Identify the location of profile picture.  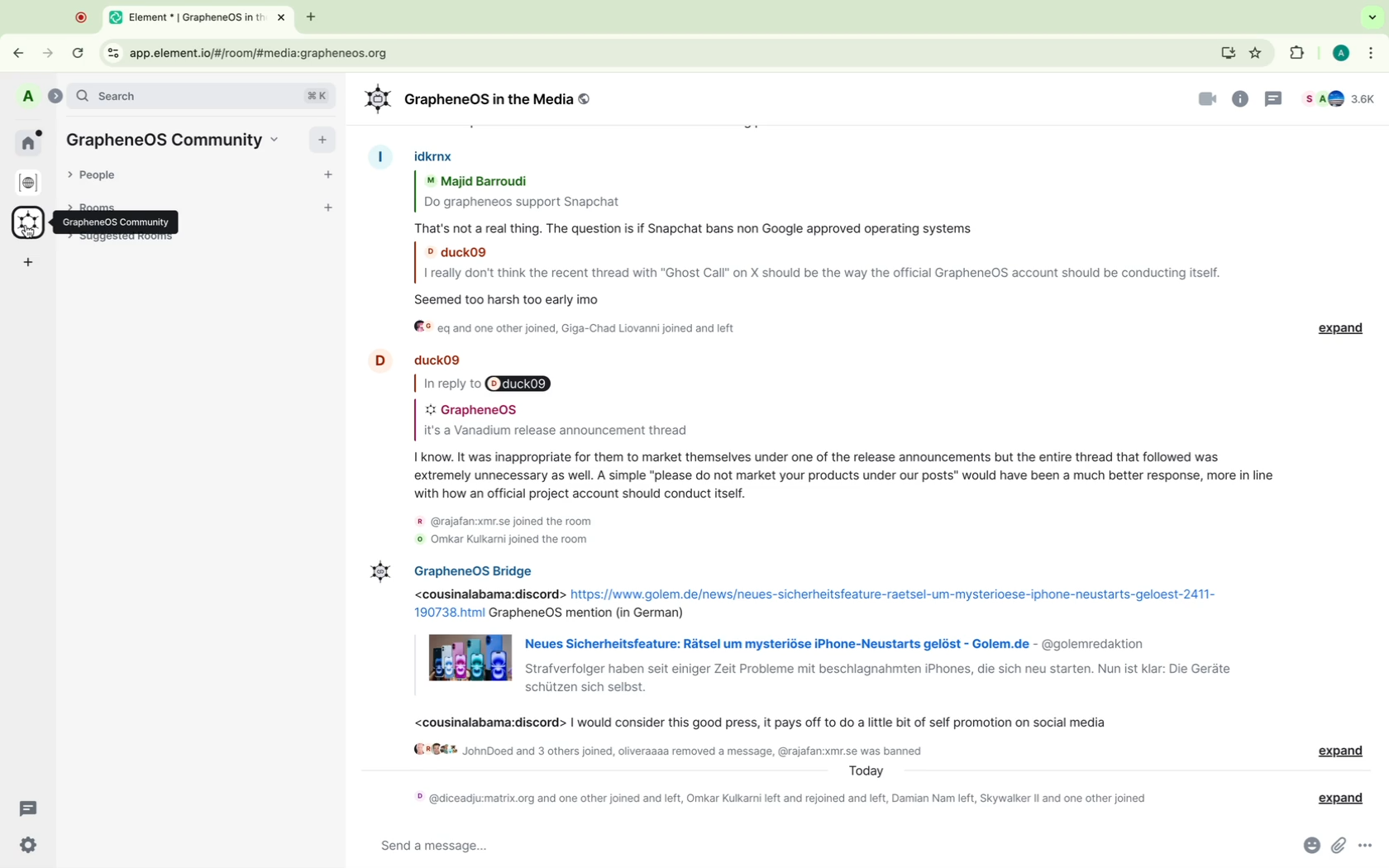
(377, 572).